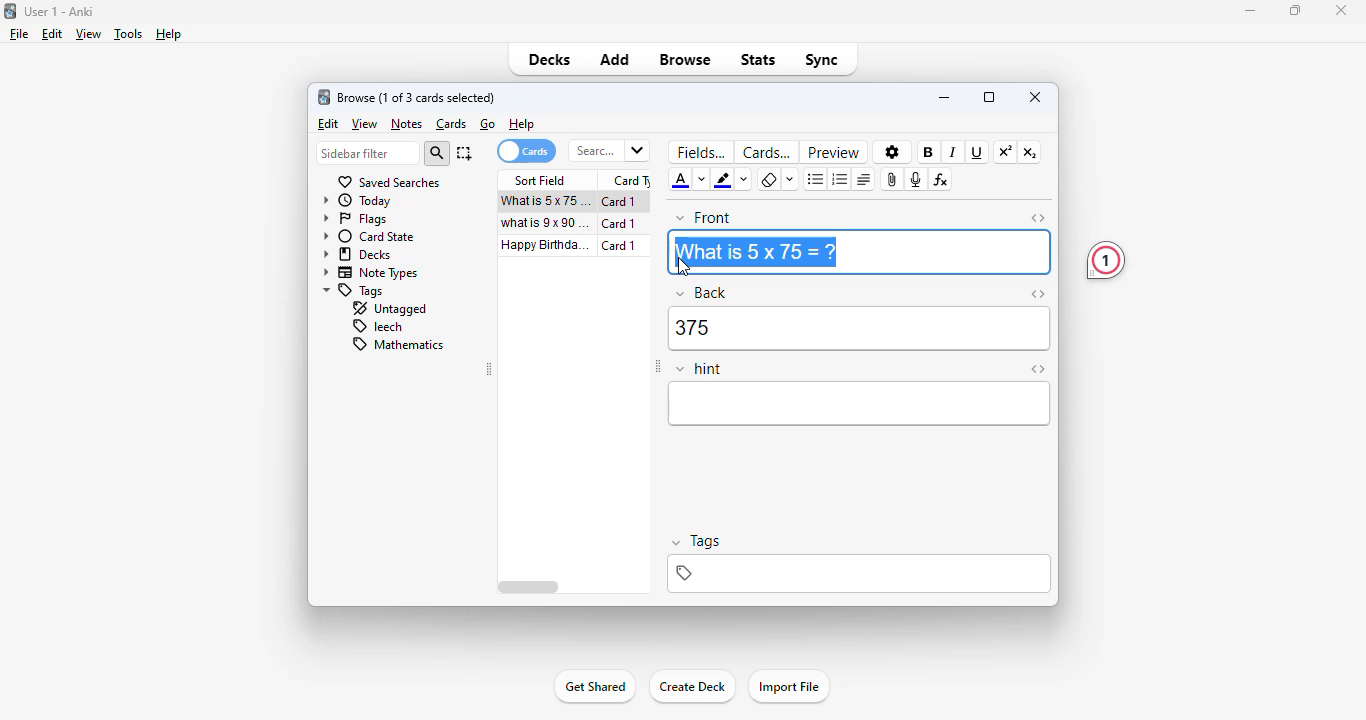 This screenshot has width=1366, height=720. What do you see at coordinates (917, 179) in the screenshot?
I see `record audio` at bounding box center [917, 179].